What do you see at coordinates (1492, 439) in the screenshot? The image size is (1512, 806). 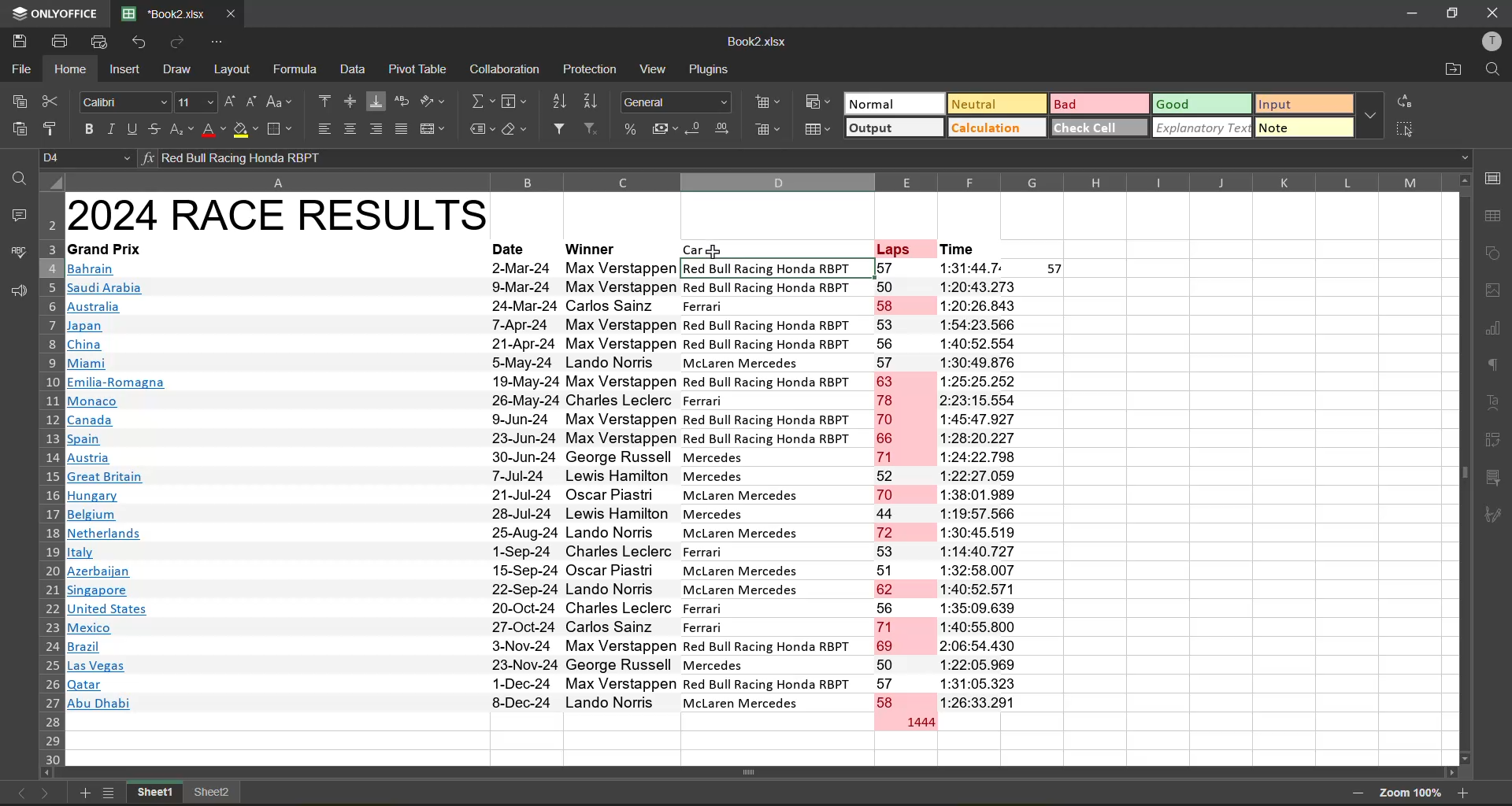 I see `pivot table` at bounding box center [1492, 439].